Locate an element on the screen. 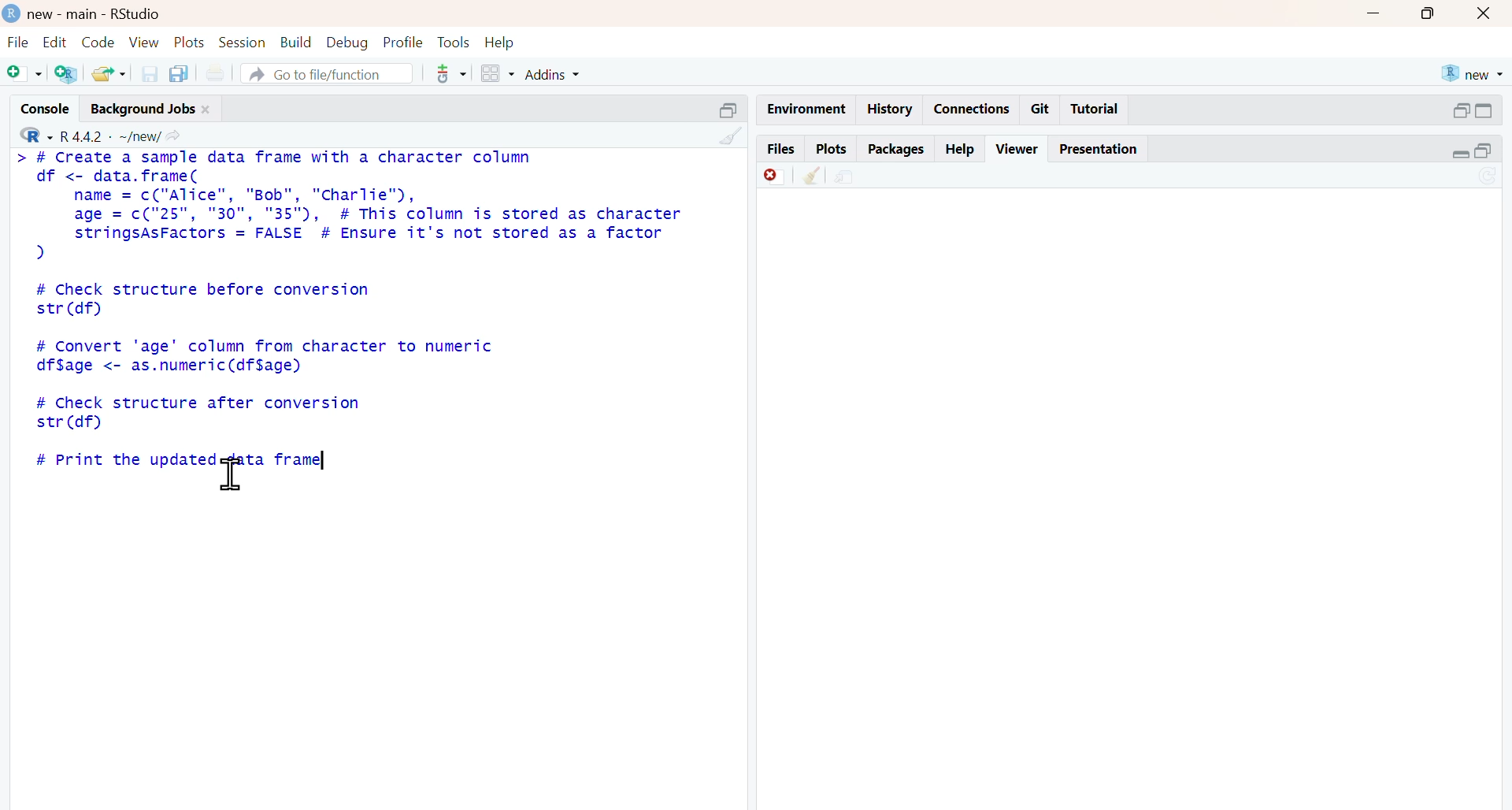 This screenshot has width=1512, height=810. share icon is located at coordinates (173, 137).